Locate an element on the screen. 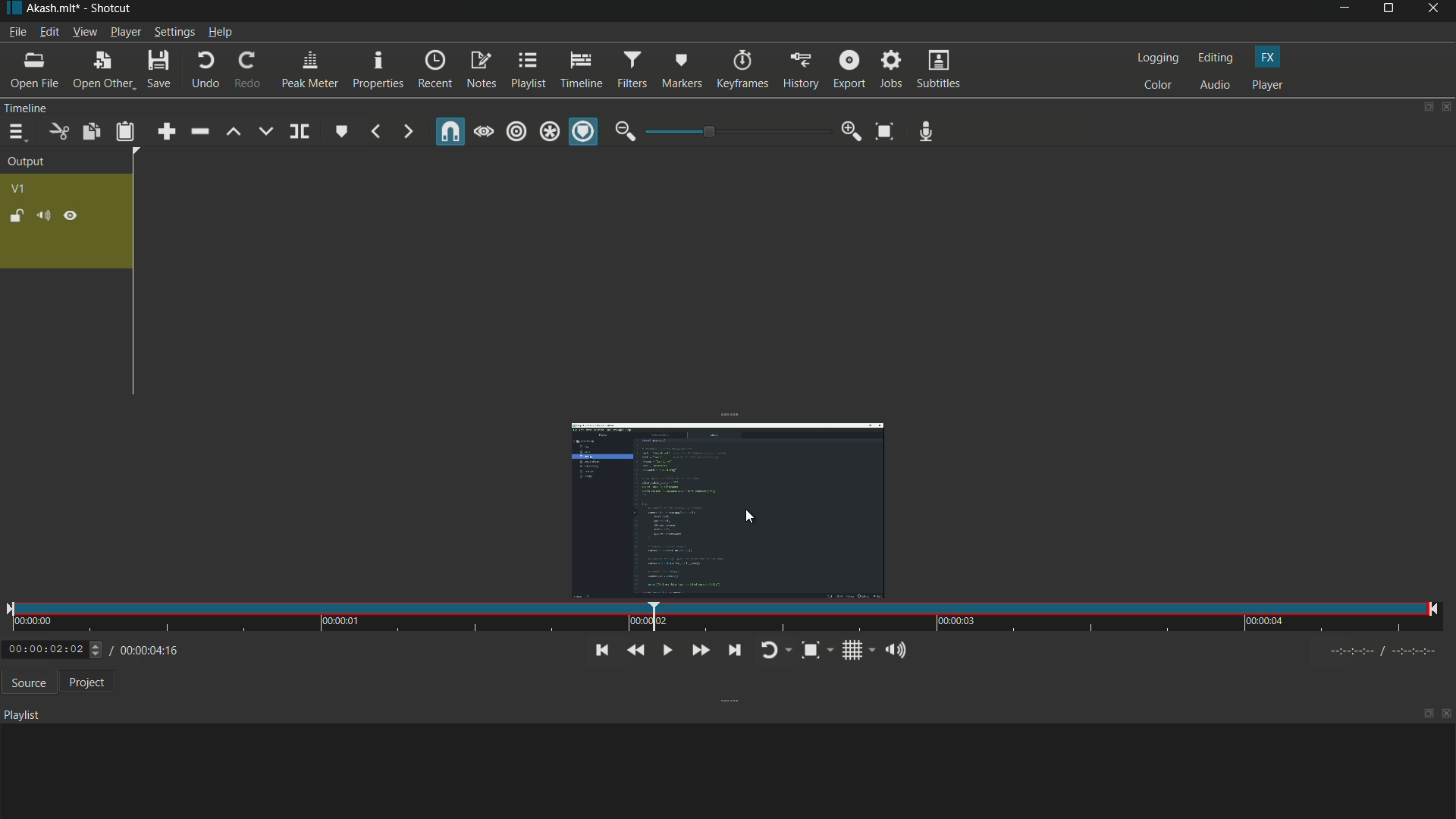 This screenshot has height=819, width=1456. Timeline is located at coordinates (54, 108).